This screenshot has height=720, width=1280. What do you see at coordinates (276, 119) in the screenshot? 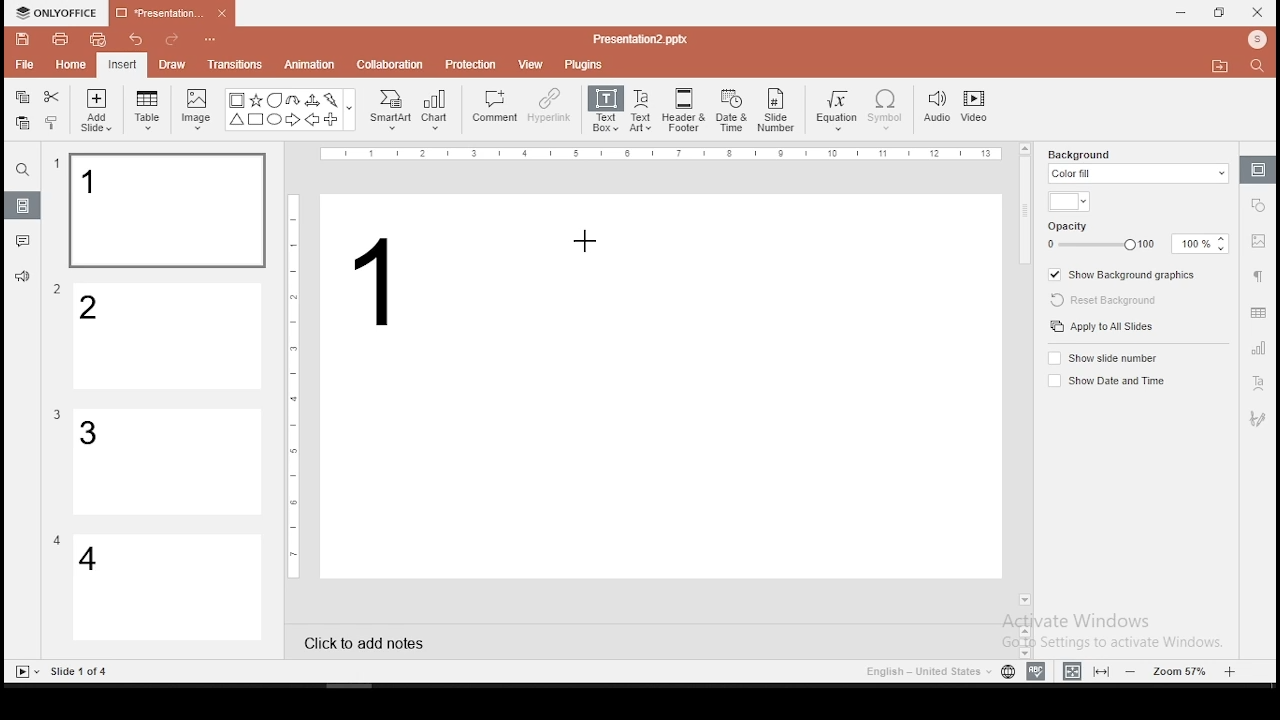
I see `Circle` at bounding box center [276, 119].